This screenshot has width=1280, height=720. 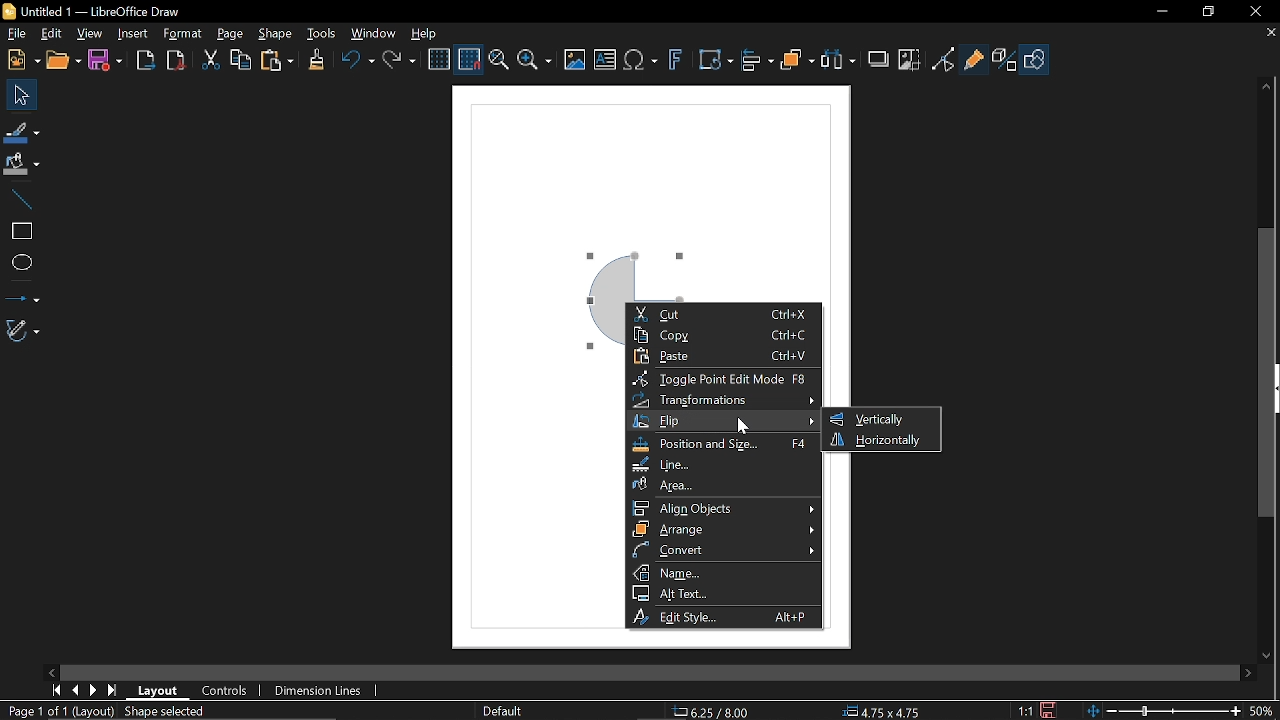 What do you see at coordinates (112, 691) in the screenshot?
I see `Last page` at bounding box center [112, 691].